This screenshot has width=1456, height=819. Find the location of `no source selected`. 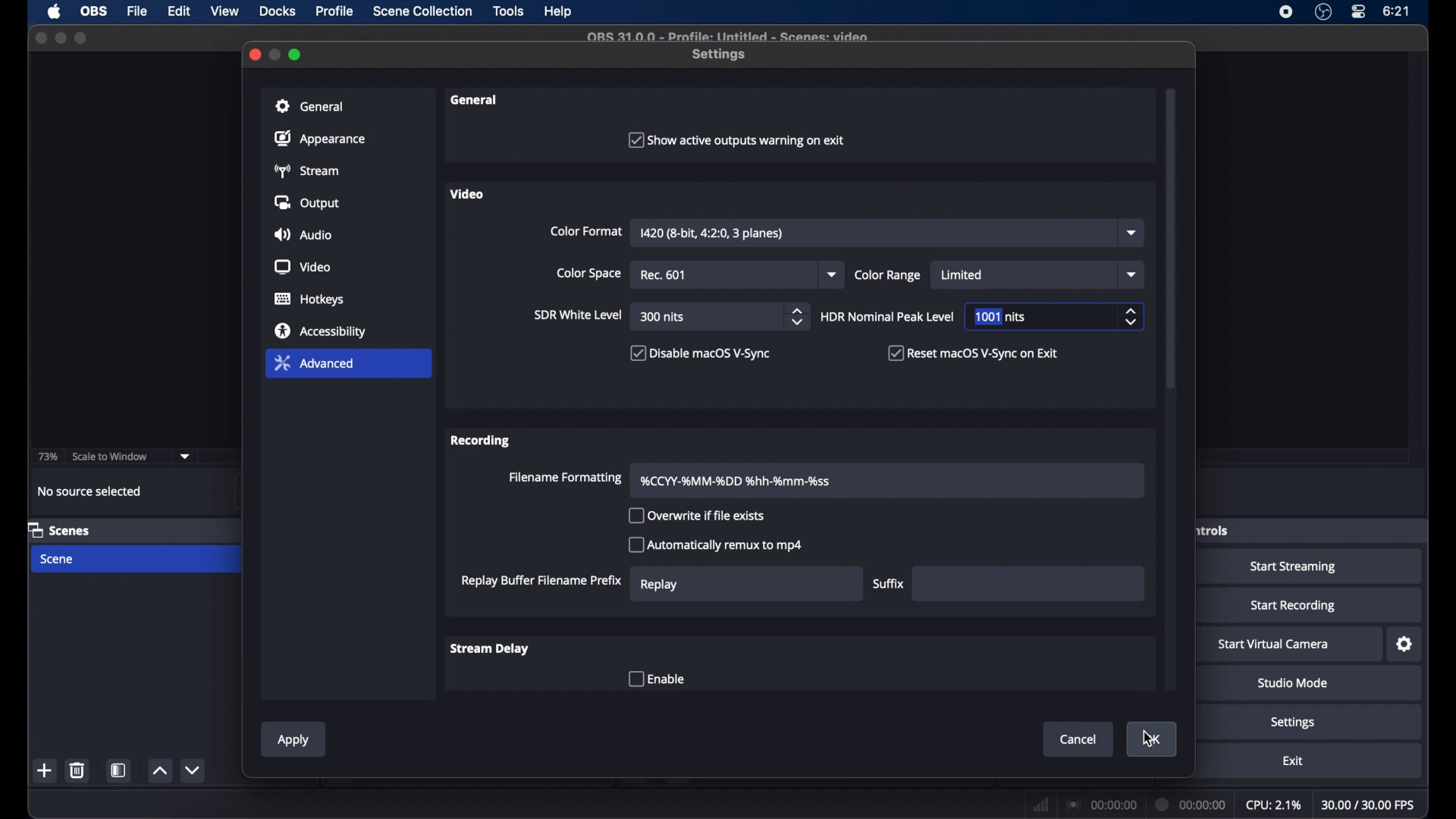

no source selected is located at coordinates (90, 491).